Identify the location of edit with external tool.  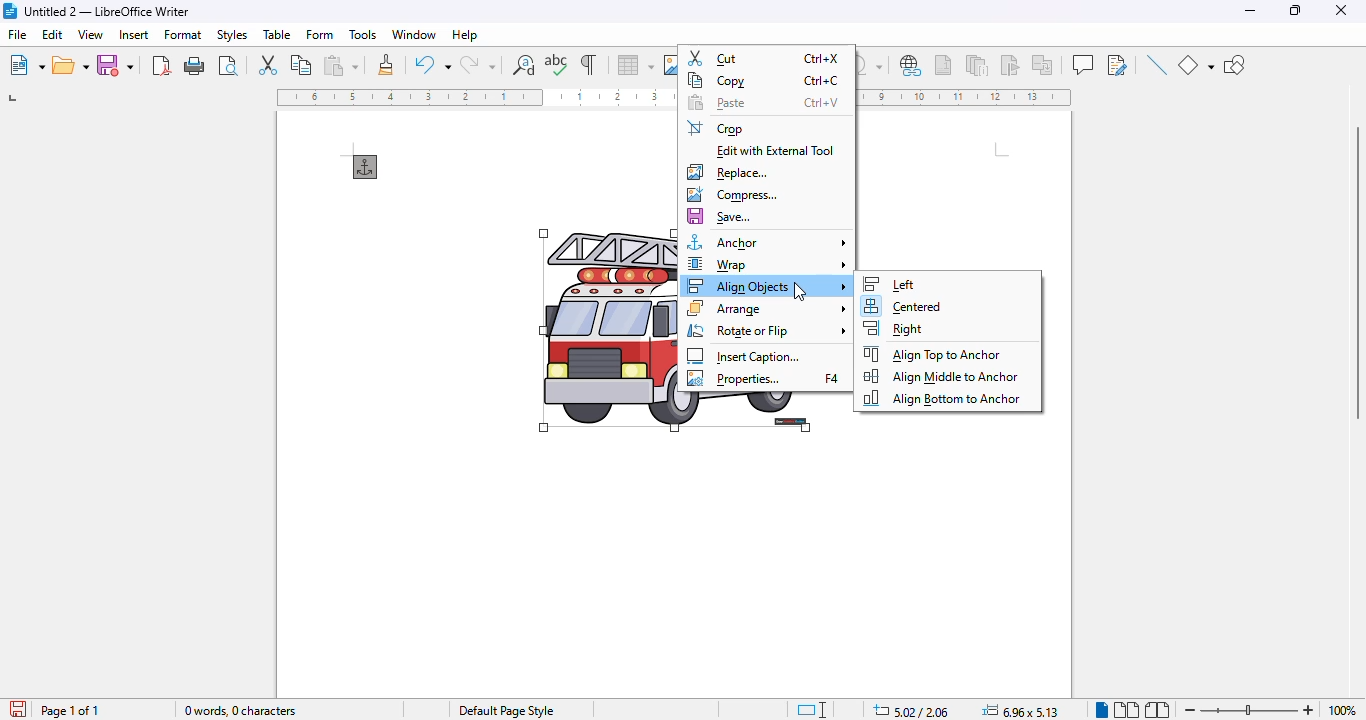
(777, 152).